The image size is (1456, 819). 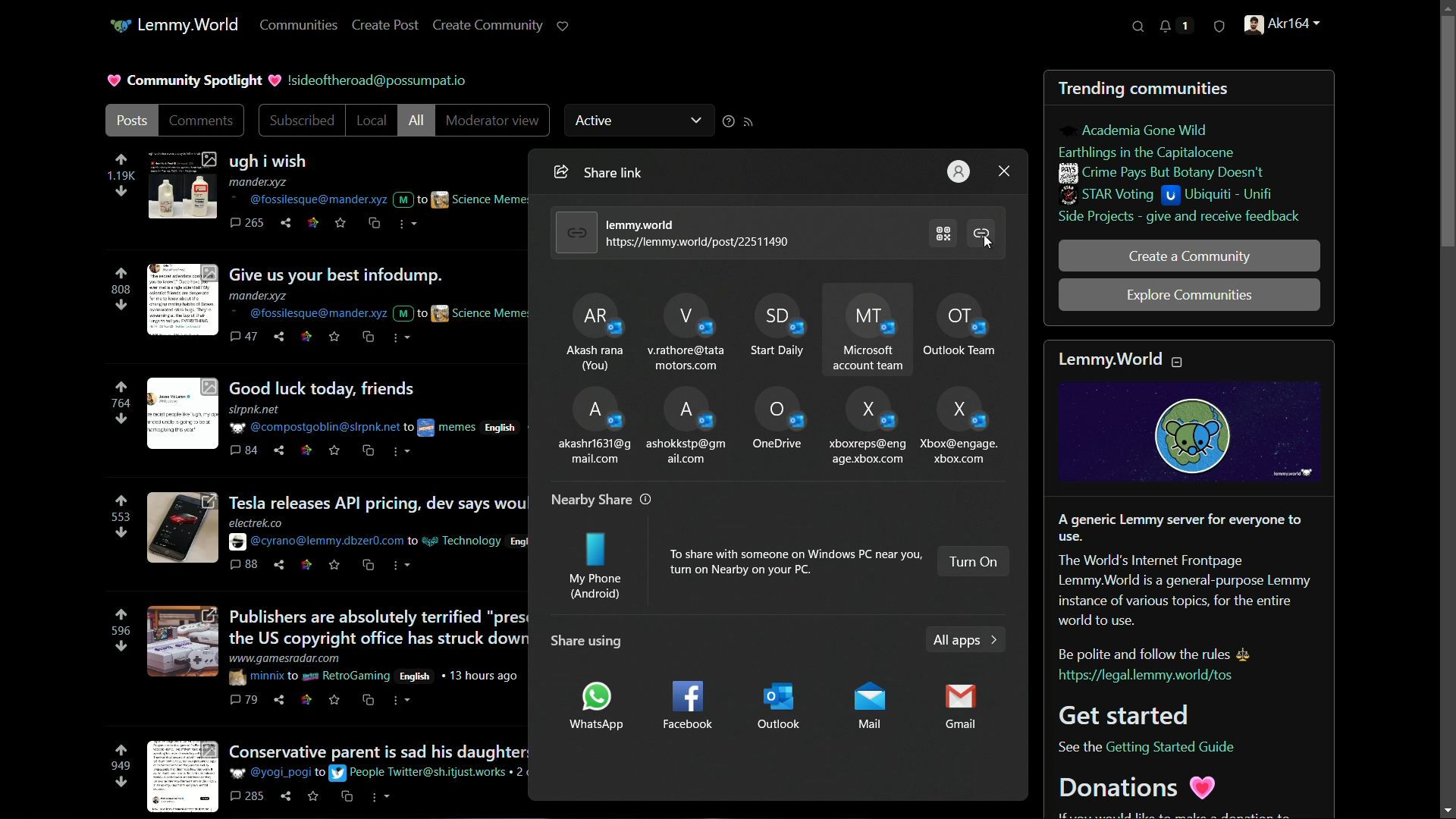 I want to click on create a community, so click(x=1188, y=256).